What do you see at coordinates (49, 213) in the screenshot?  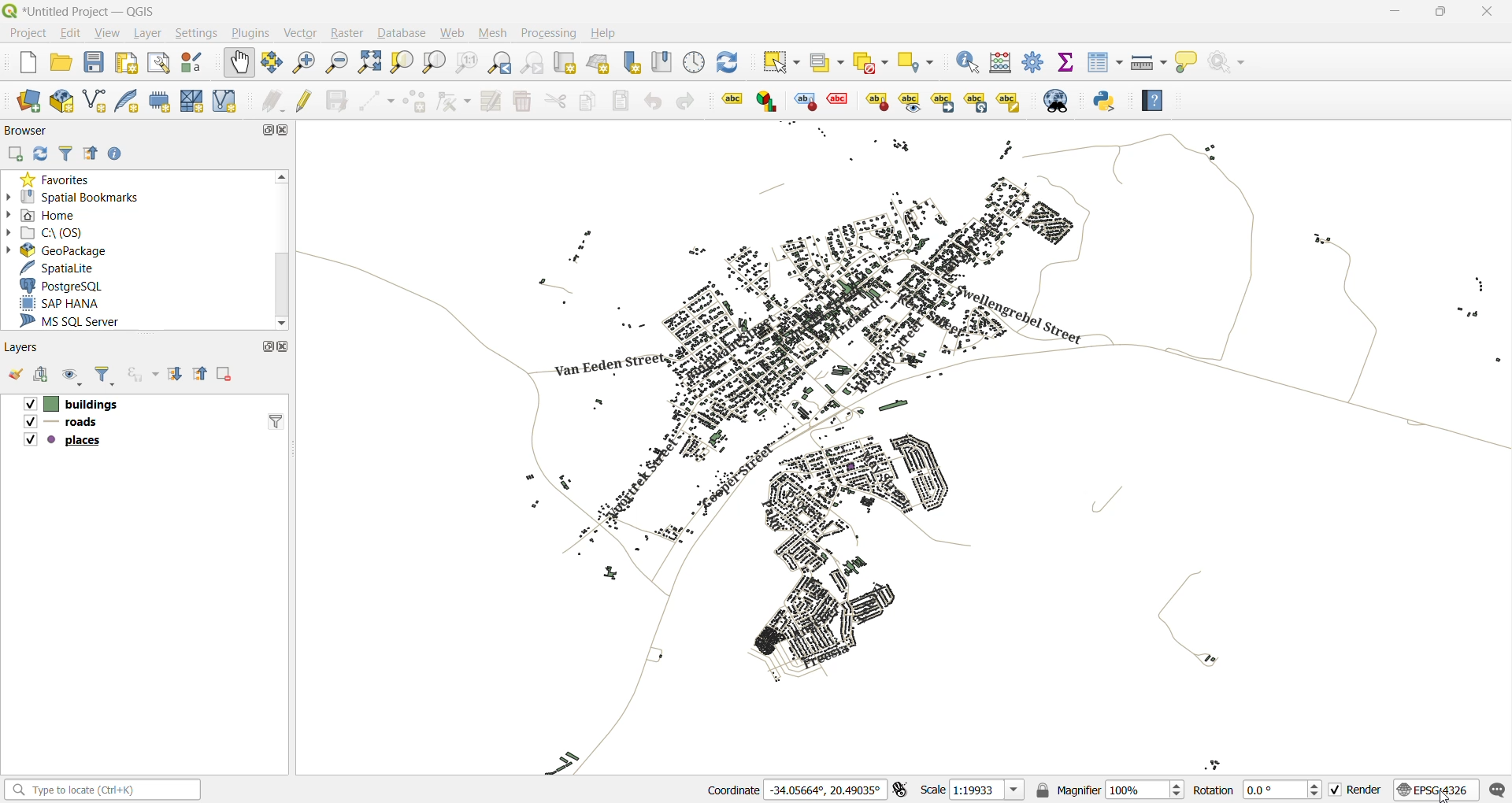 I see `home` at bounding box center [49, 213].